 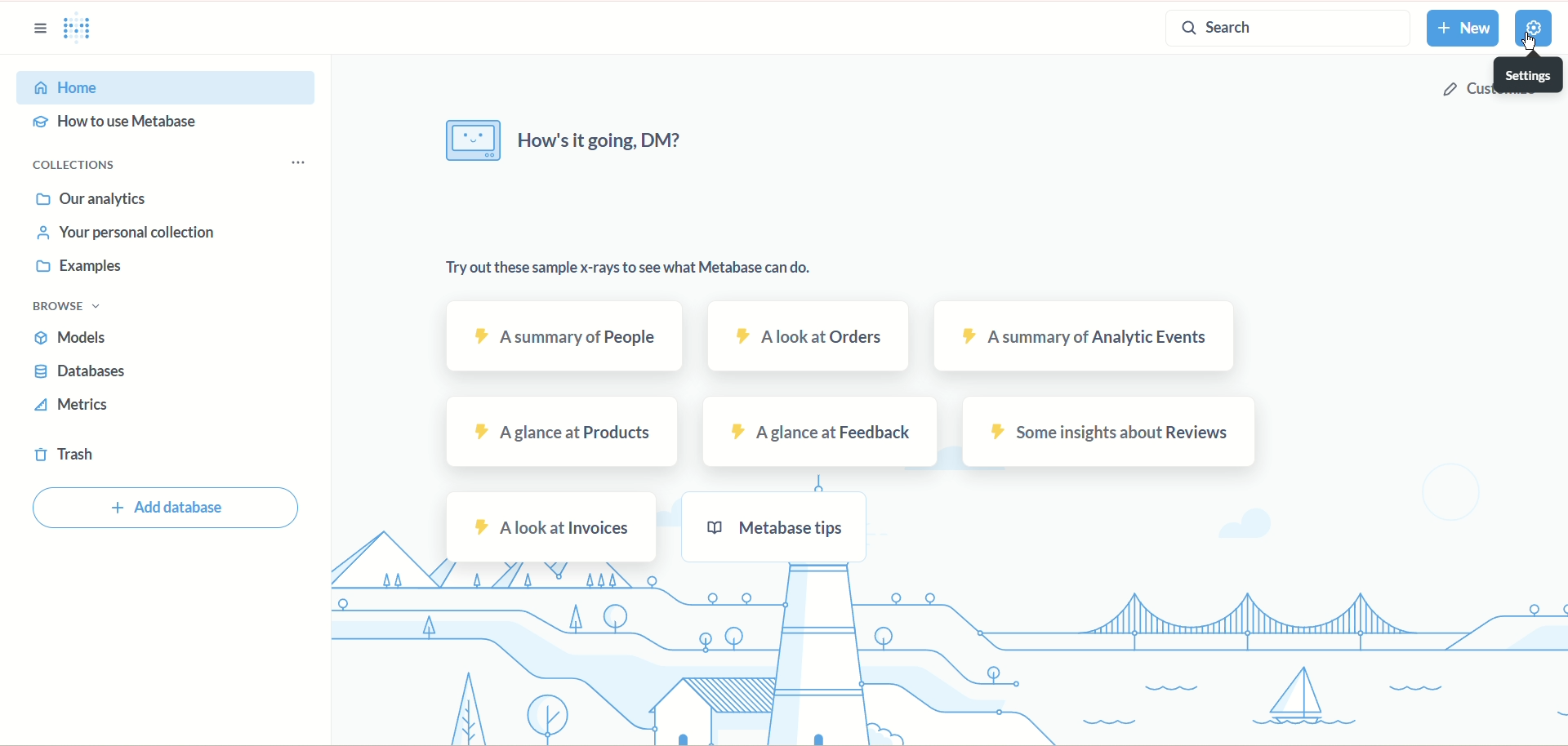 What do you see at coordinates (550, 527) in the screenshot?
I see `a look at invoices` at bounding box center [550, 527].